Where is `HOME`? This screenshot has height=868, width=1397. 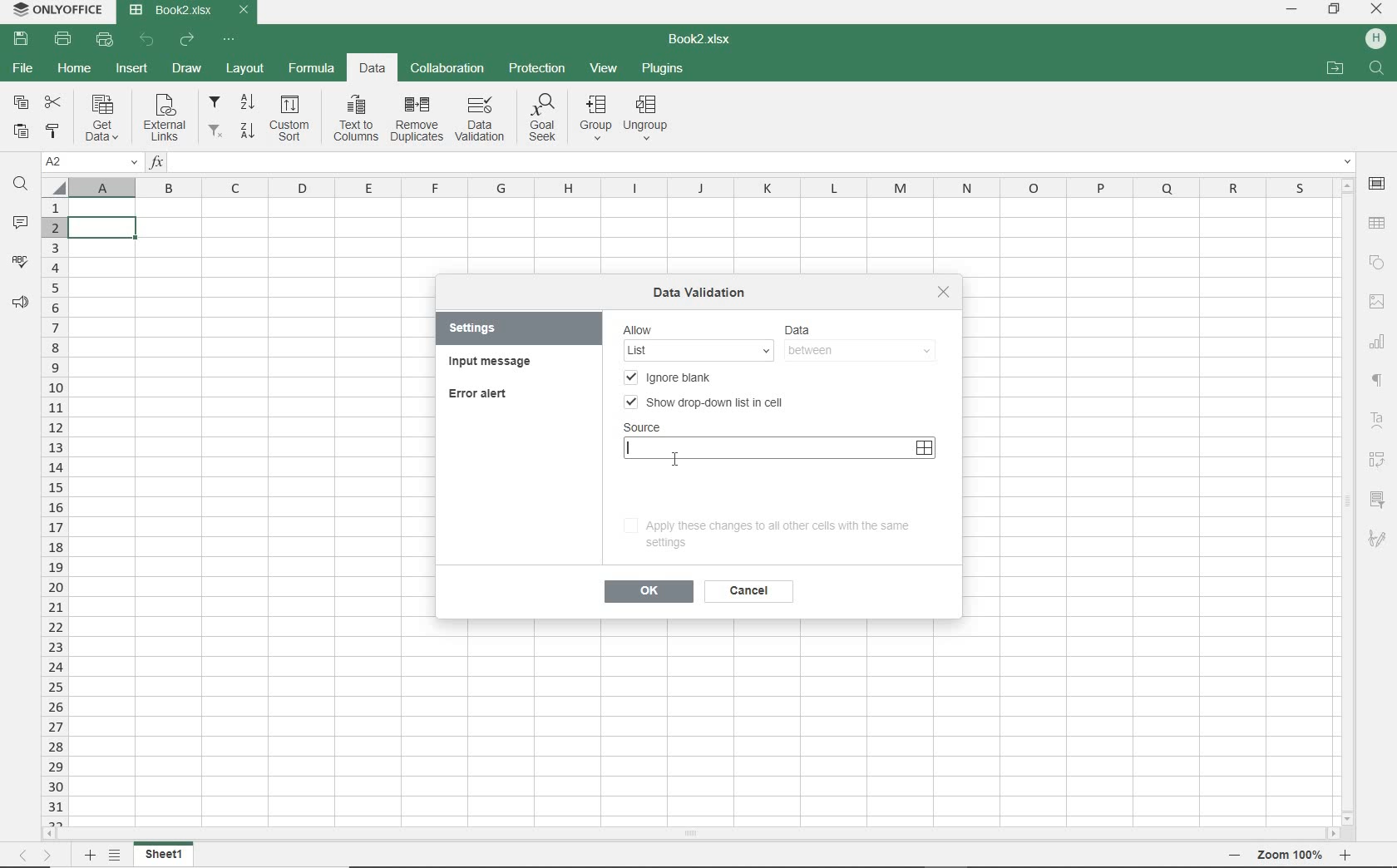
HOME is located at coordinates (76, 70).